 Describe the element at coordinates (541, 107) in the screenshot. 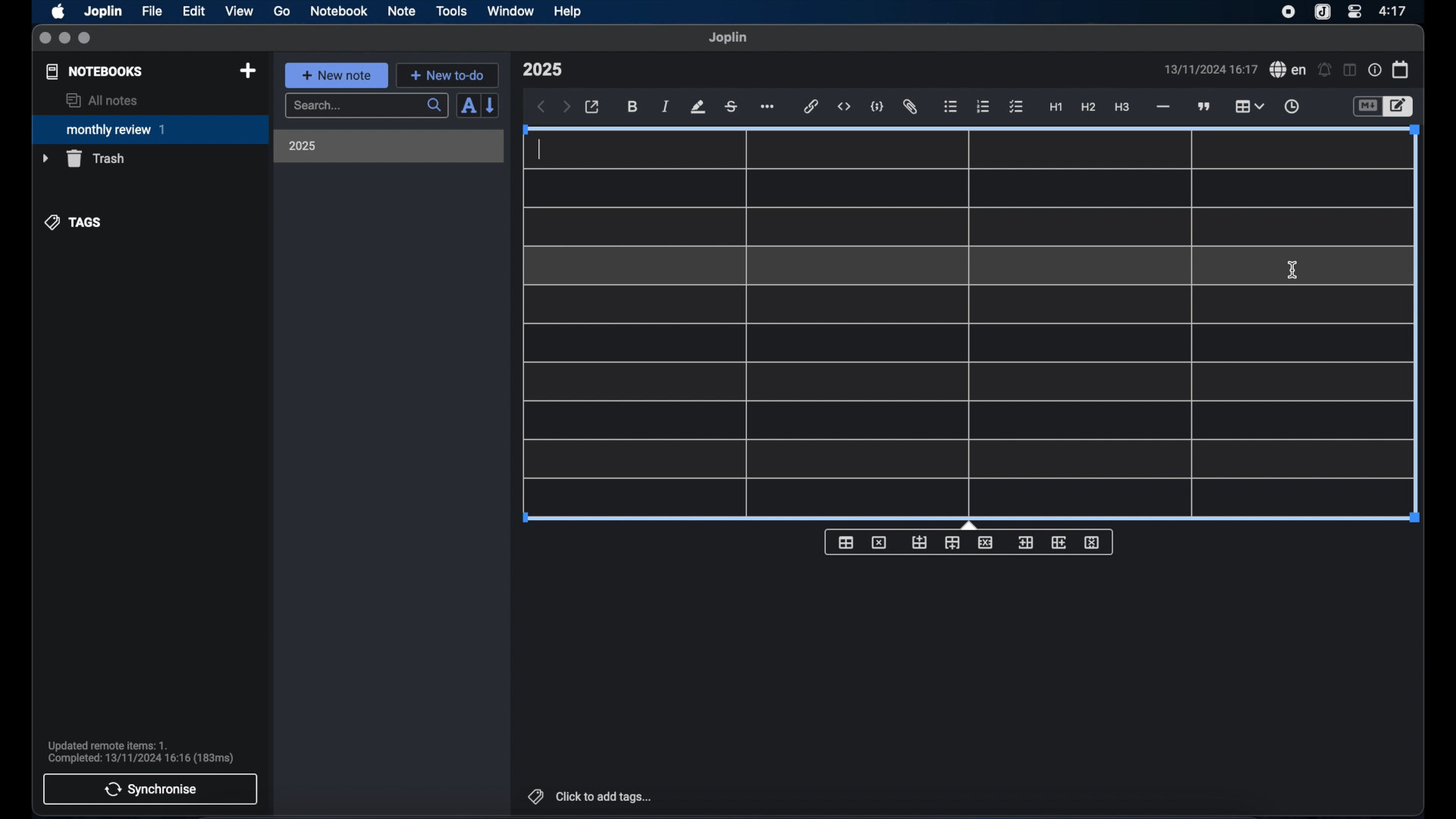

I see `back` at that location.